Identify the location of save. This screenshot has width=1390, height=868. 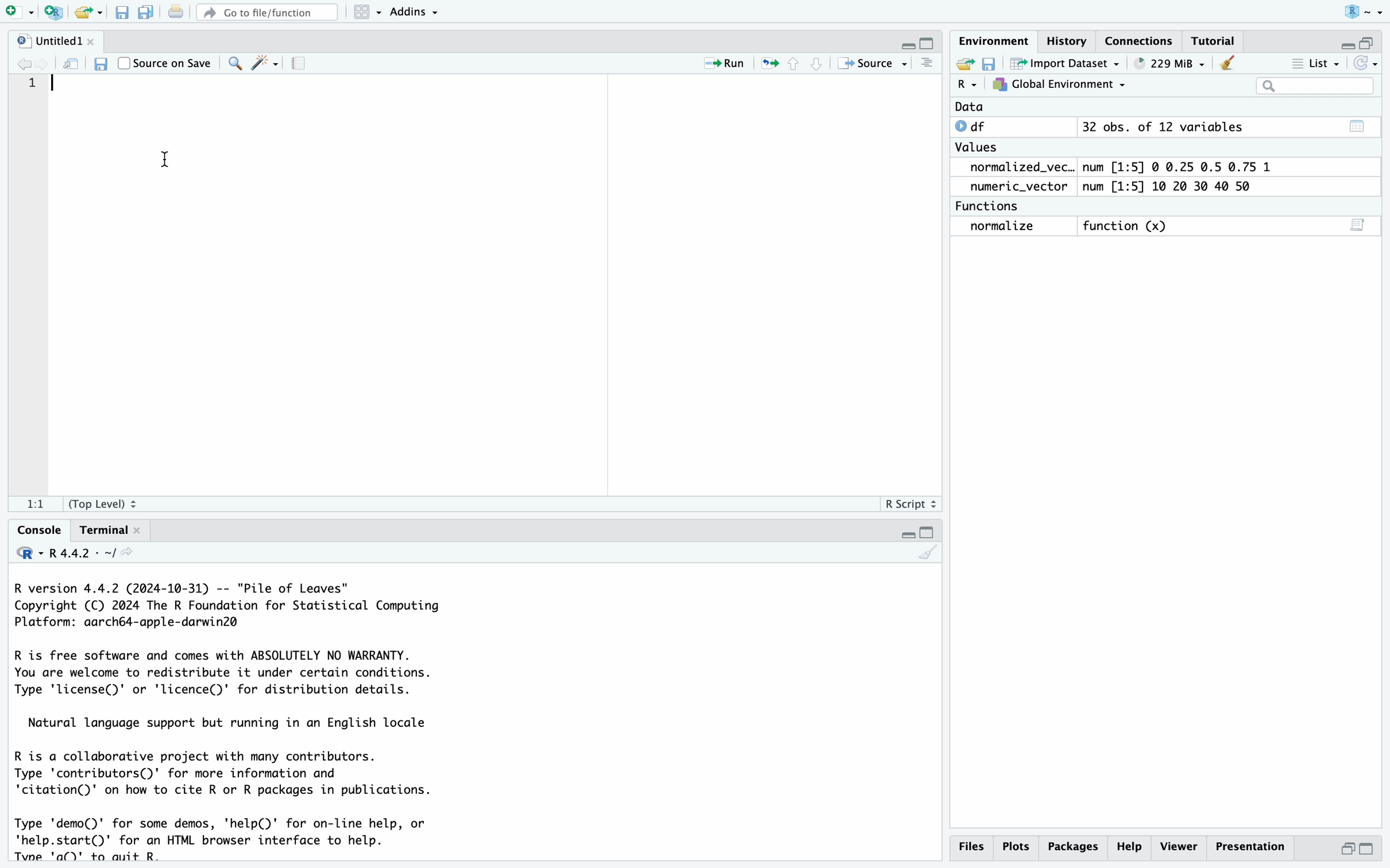
(991, 64).